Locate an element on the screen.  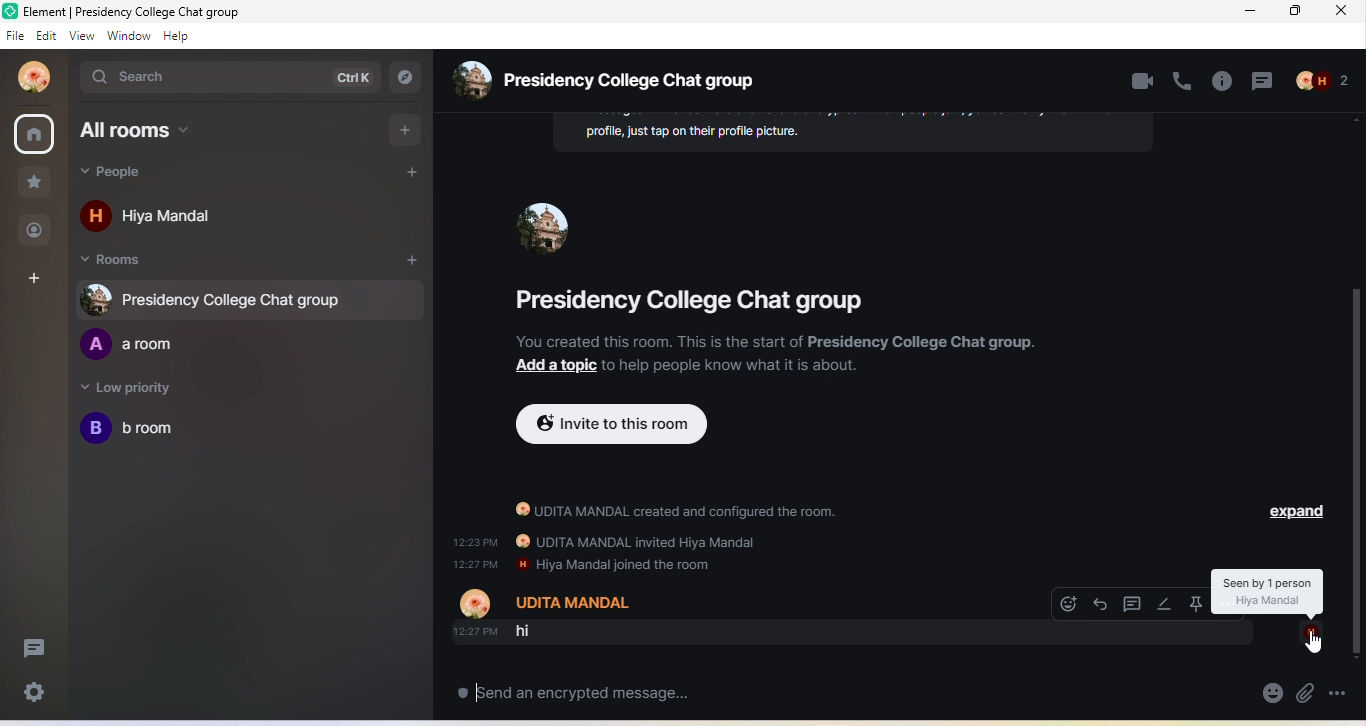
hiya mandal is located at coordinates (157, 214).